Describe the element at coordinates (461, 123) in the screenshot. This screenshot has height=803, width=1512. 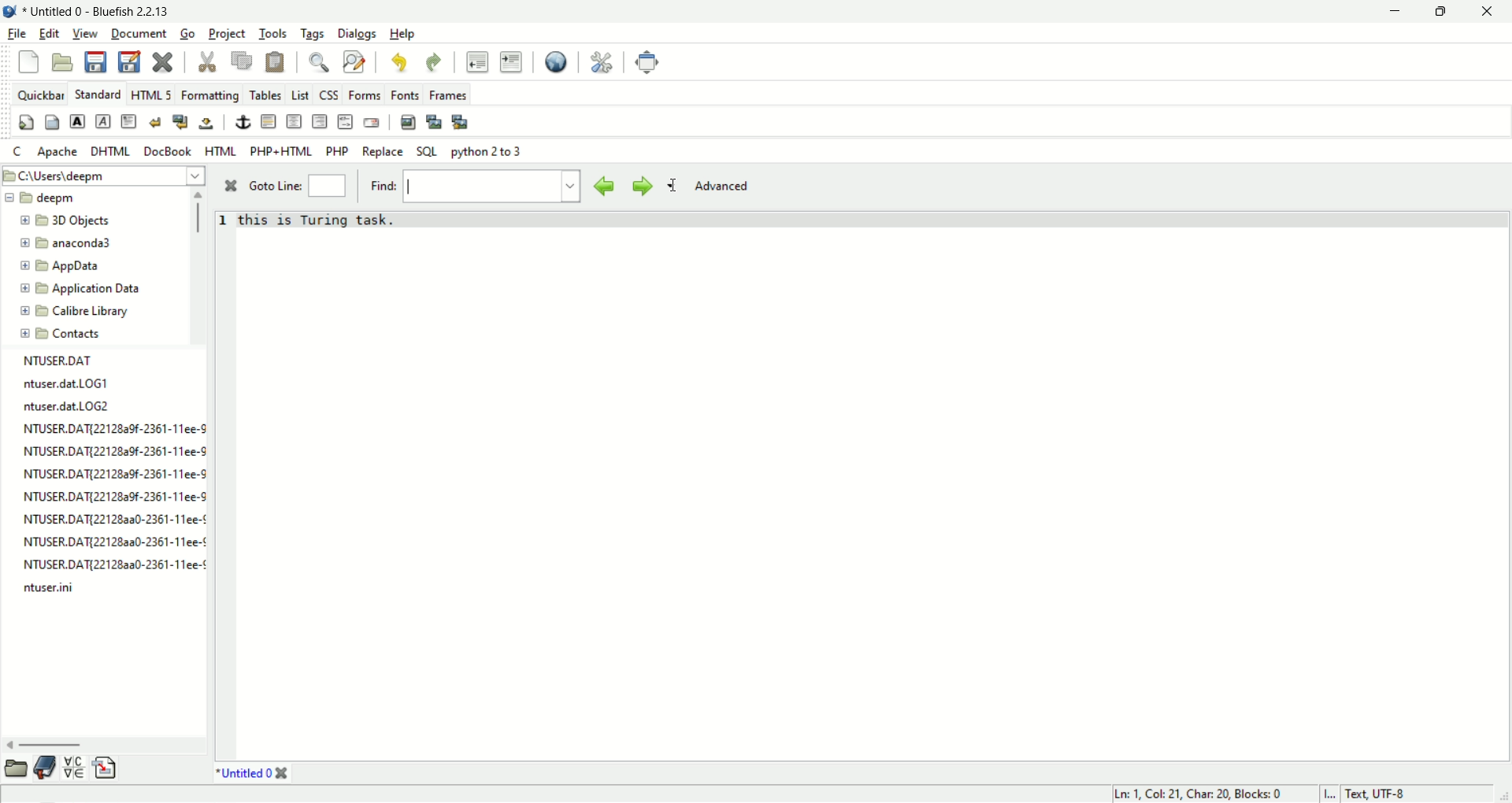
I see `multi thumbnail` at that location.